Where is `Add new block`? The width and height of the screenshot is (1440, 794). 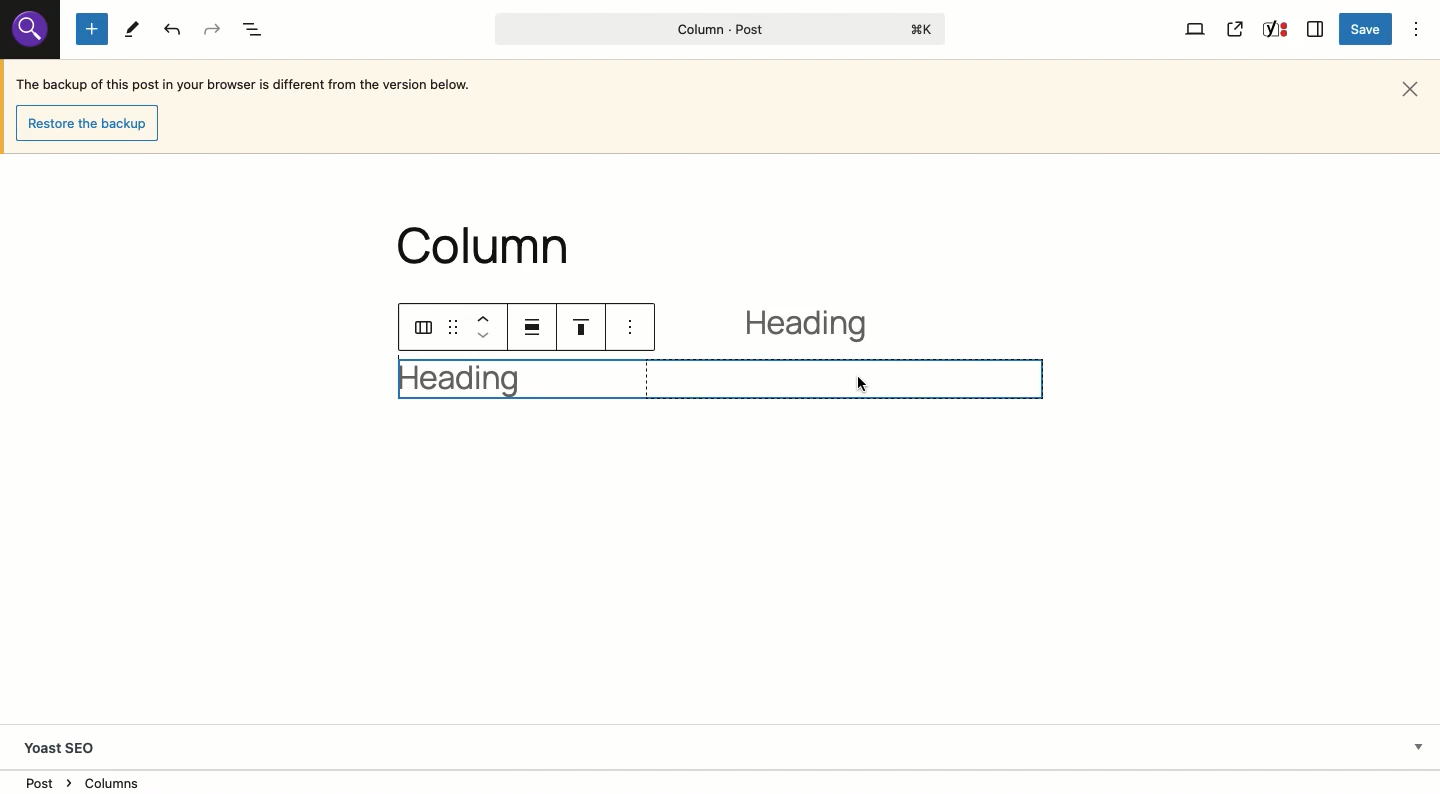
Add new block is located at coordinates (92, 30).